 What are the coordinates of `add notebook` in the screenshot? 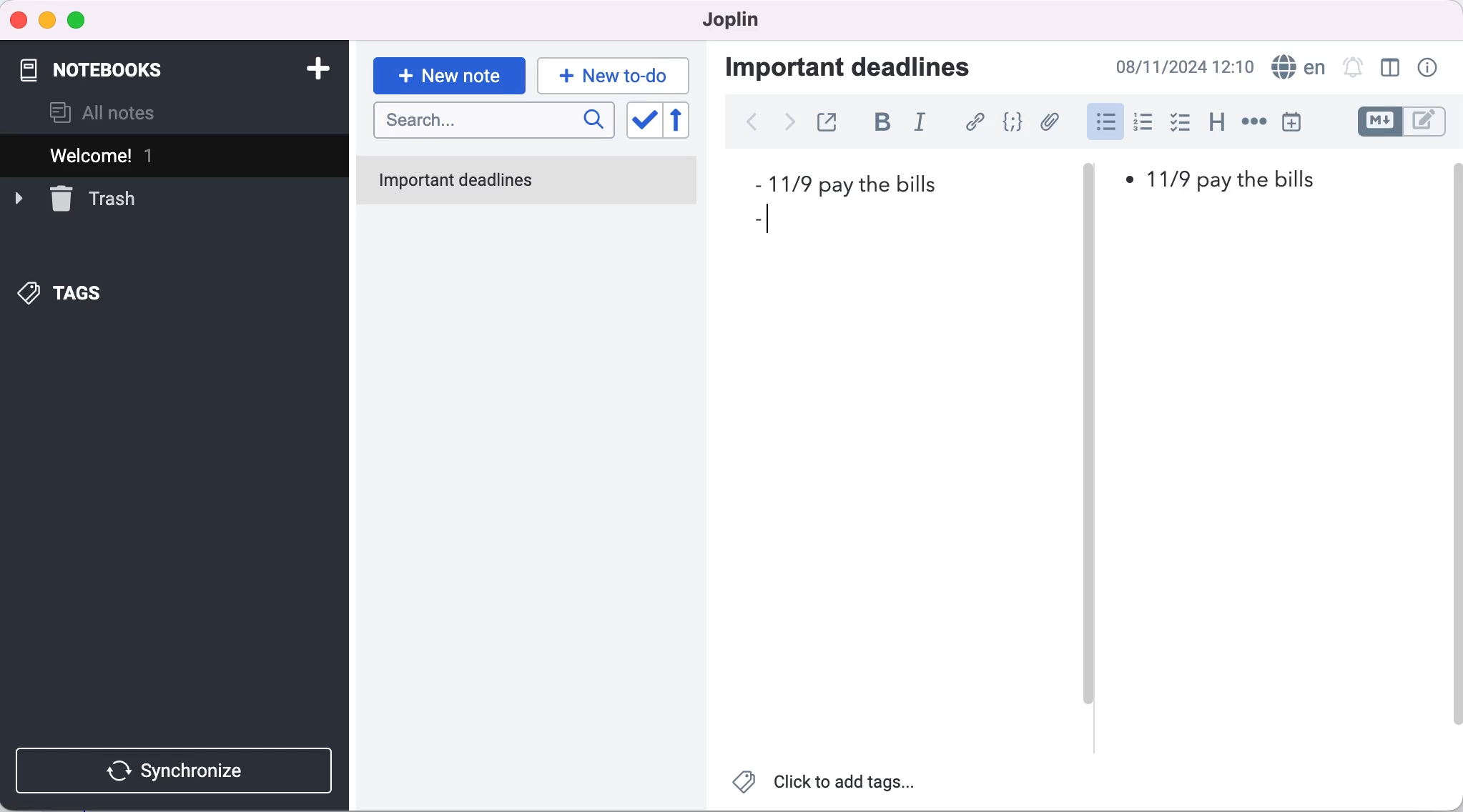 It's located at (315, 67).